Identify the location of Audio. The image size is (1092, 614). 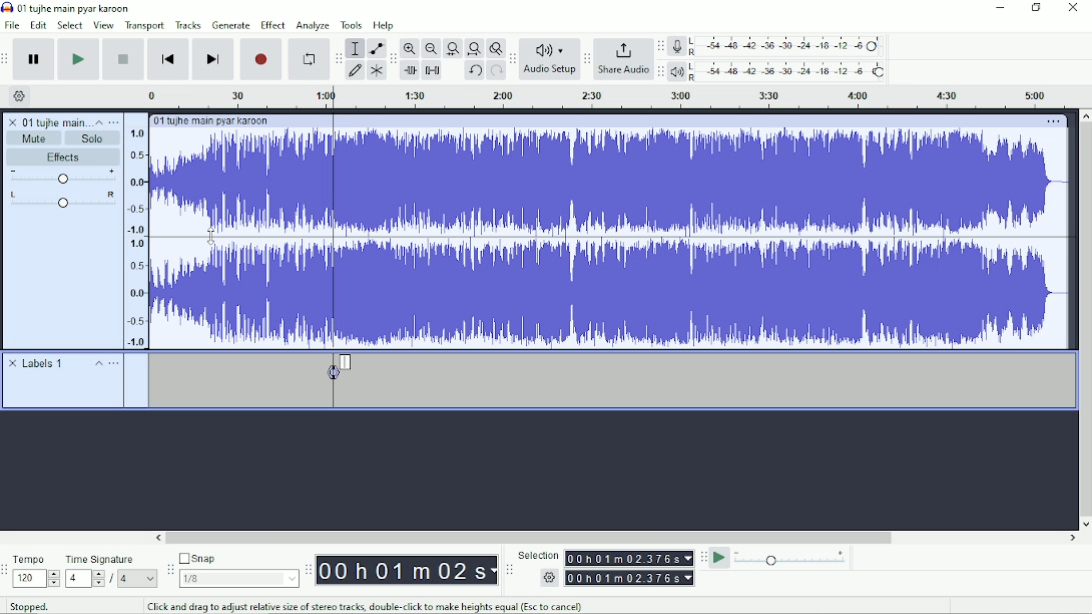
(598, 239).